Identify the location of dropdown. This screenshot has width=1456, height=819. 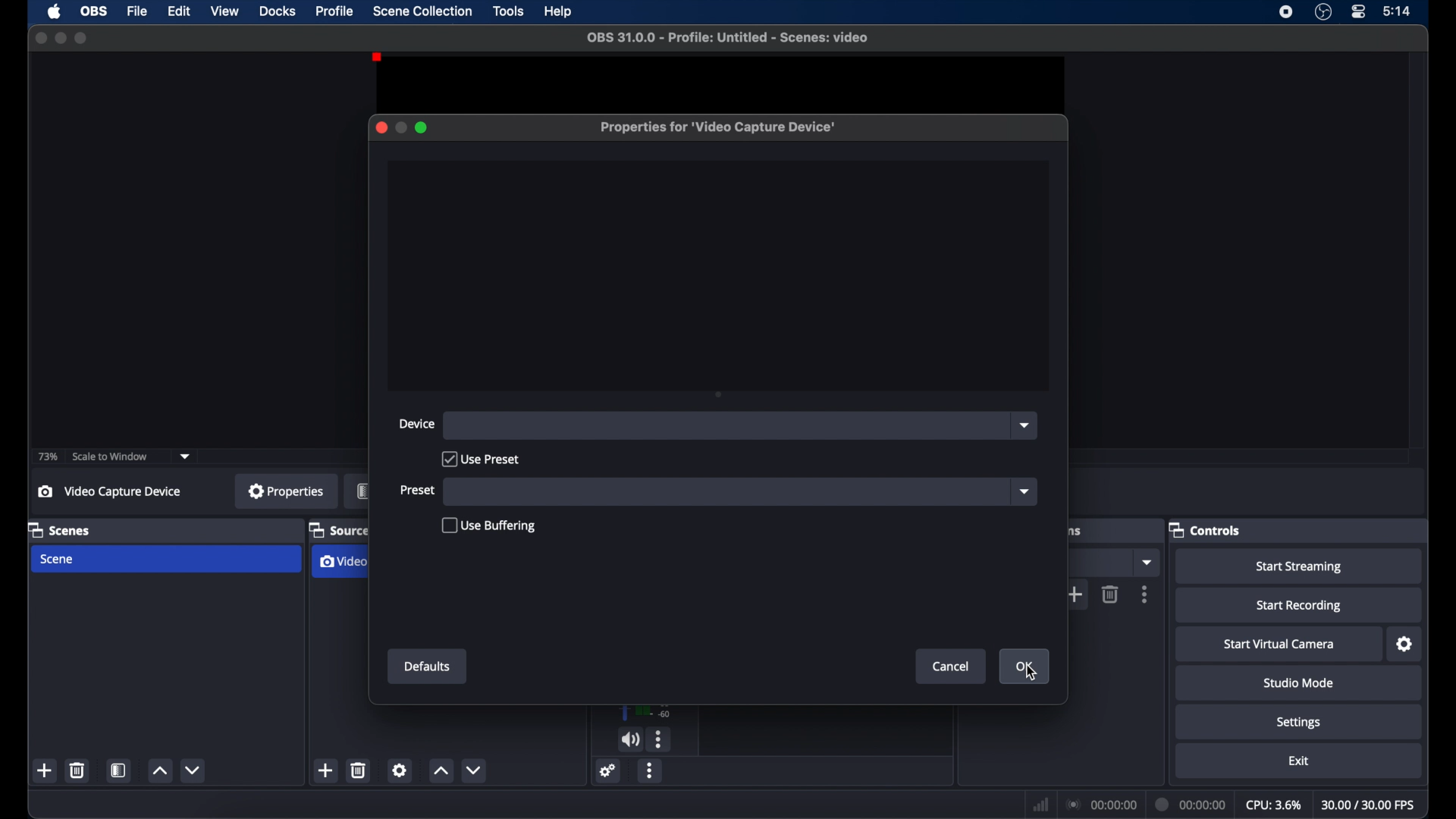
(186, 457).